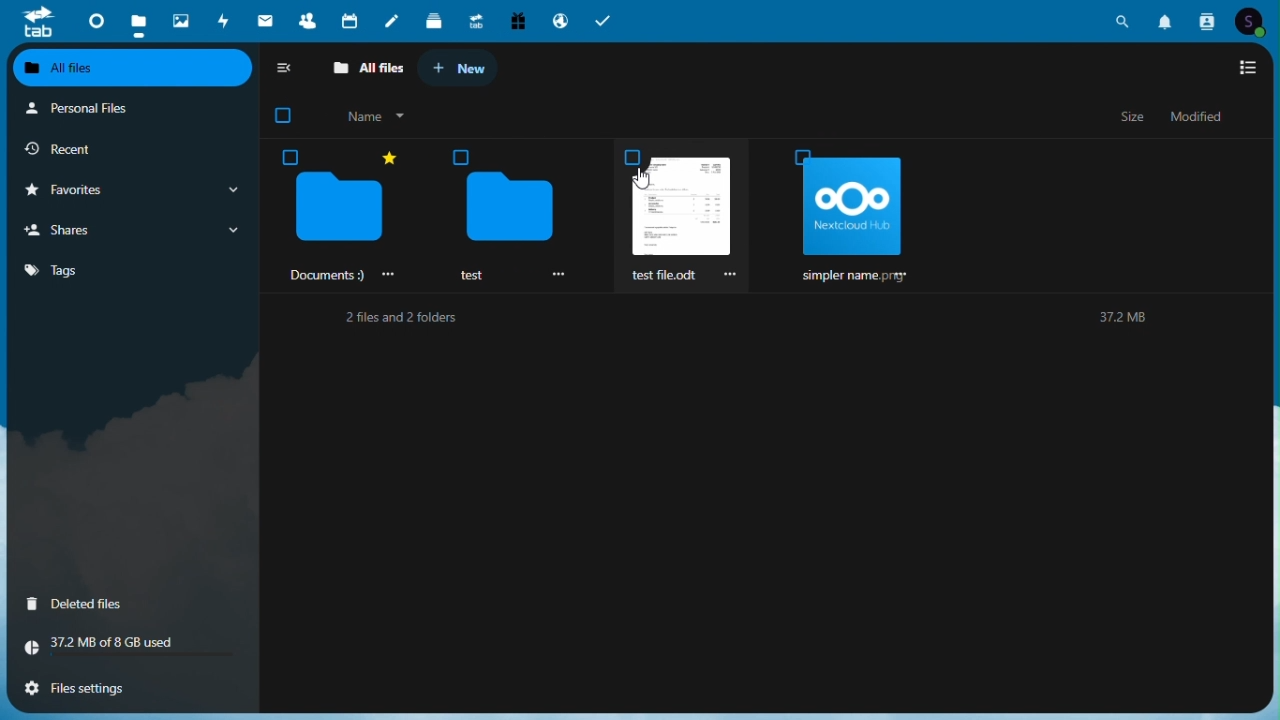  I want to click on File settings , so click(124, 692).